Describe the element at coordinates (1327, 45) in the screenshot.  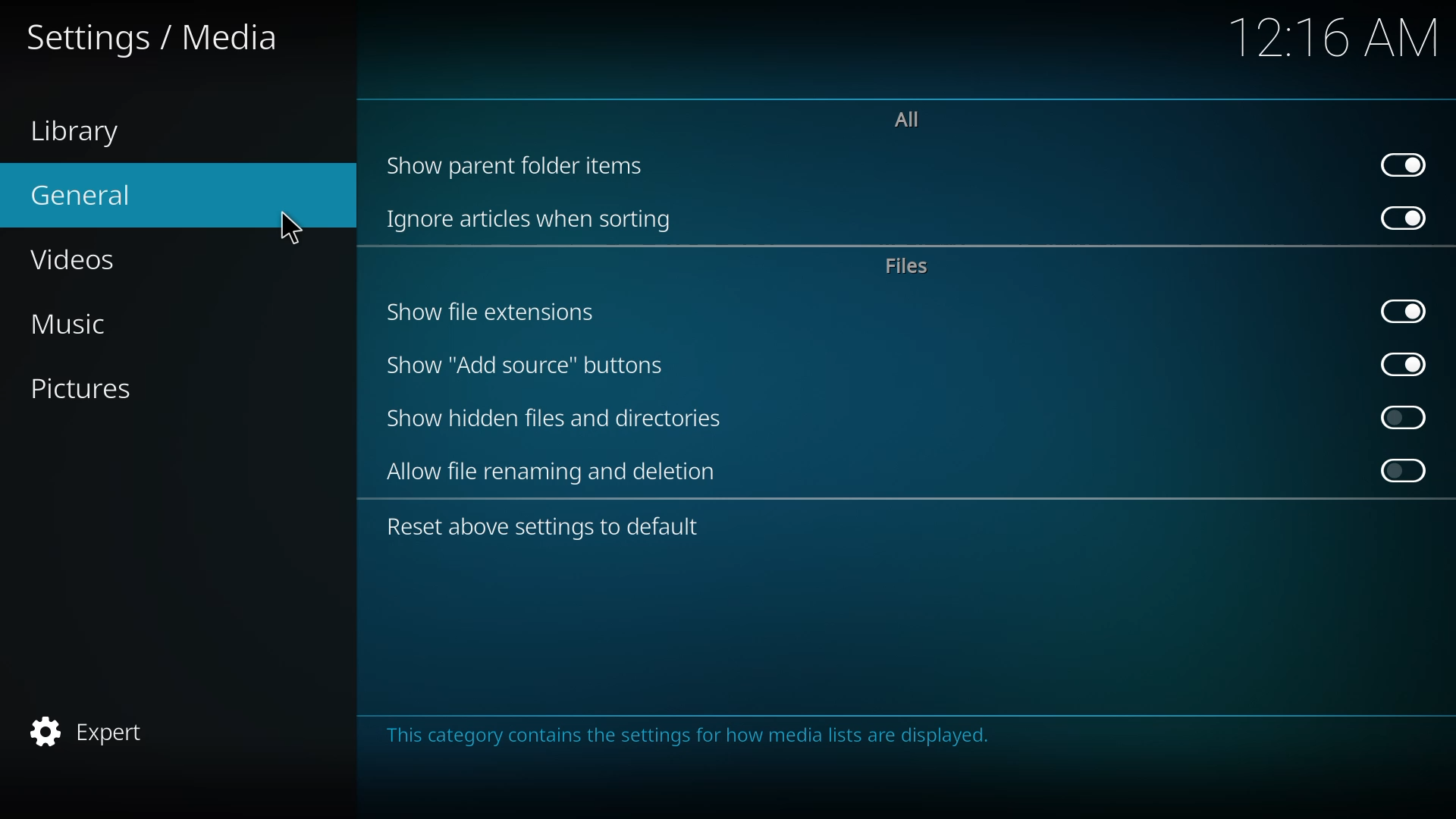
I see `12:16 AM` at that location.